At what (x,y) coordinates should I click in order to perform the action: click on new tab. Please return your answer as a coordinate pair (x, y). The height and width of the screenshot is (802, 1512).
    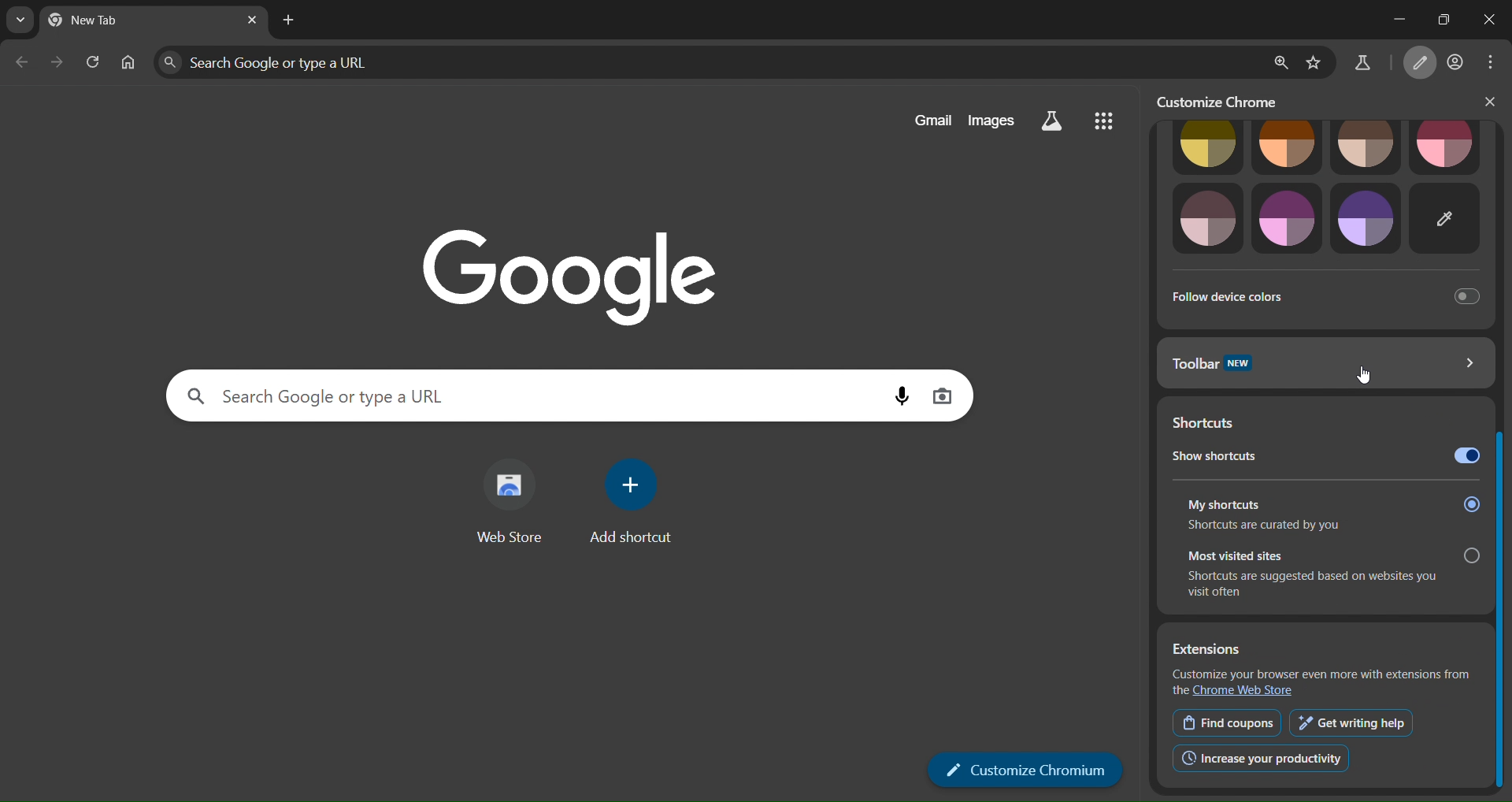
    Looking at the image, I should click on (289, 19).